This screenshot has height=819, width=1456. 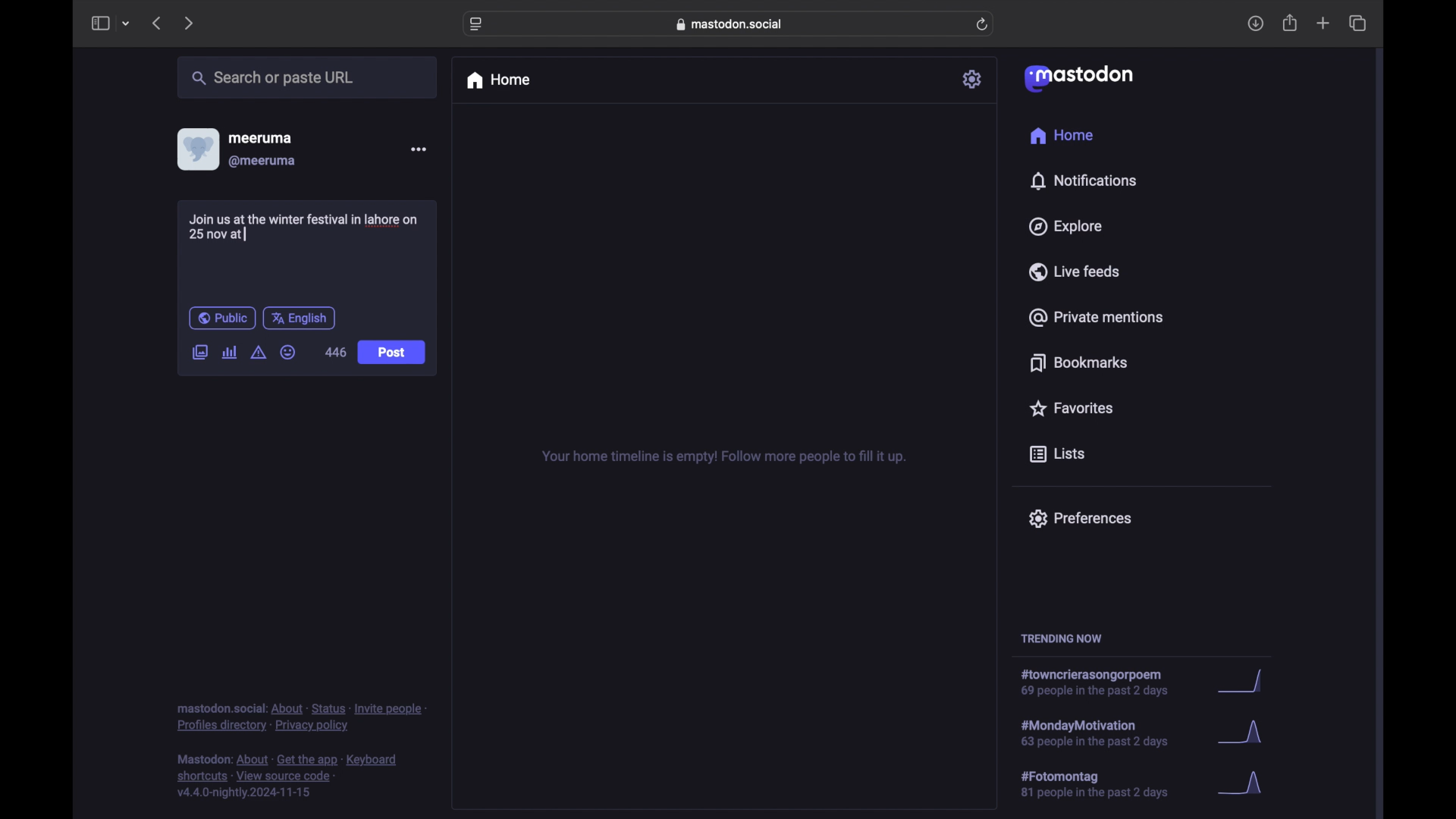 I want to click on new tab, so click(x=1323, y=23).